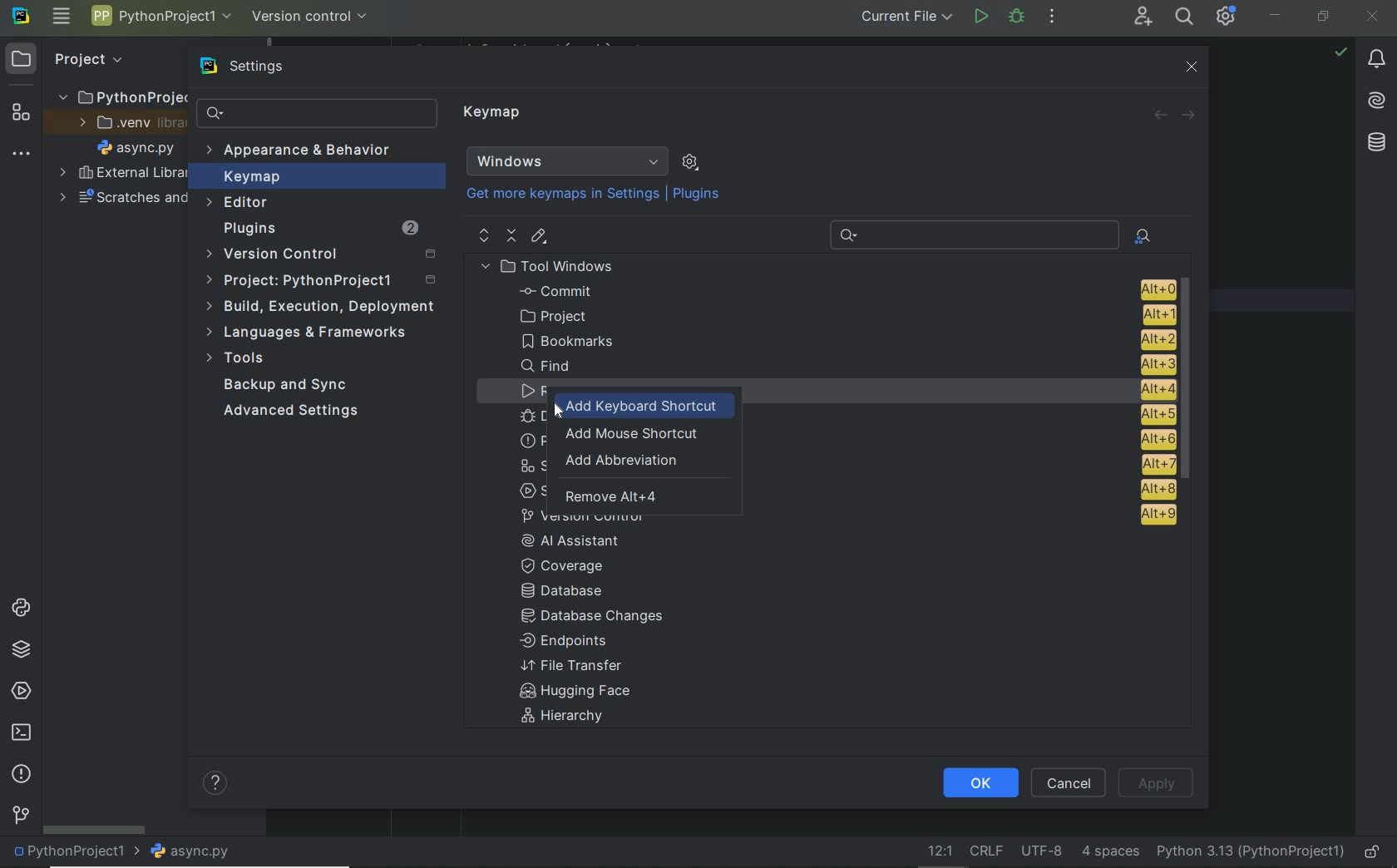 The image size is (1397, 868). I want to click on minimize, so click(1276, 15).